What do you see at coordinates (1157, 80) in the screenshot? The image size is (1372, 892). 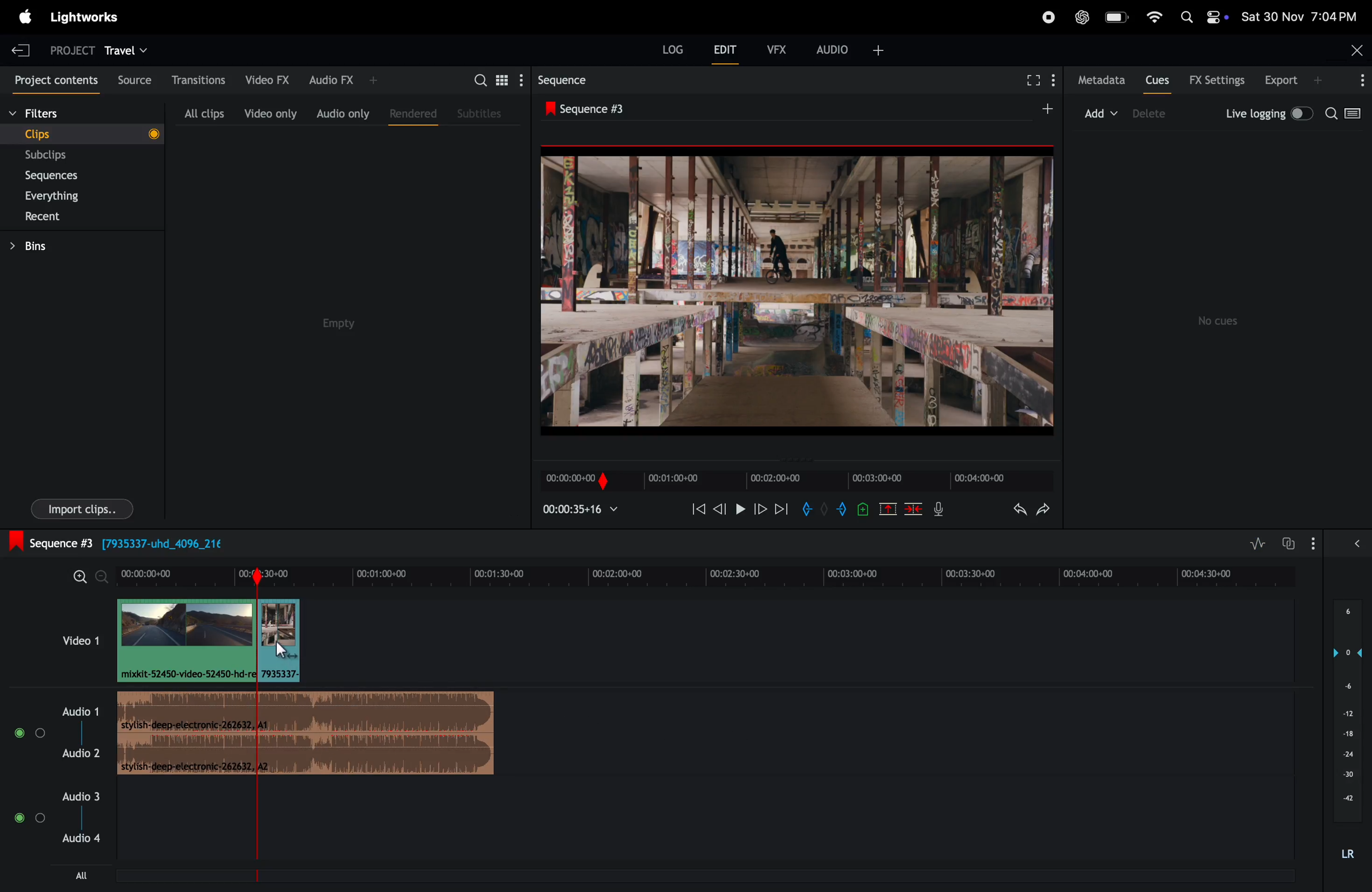 I see `cues ` at bounding box center [1157, 80].